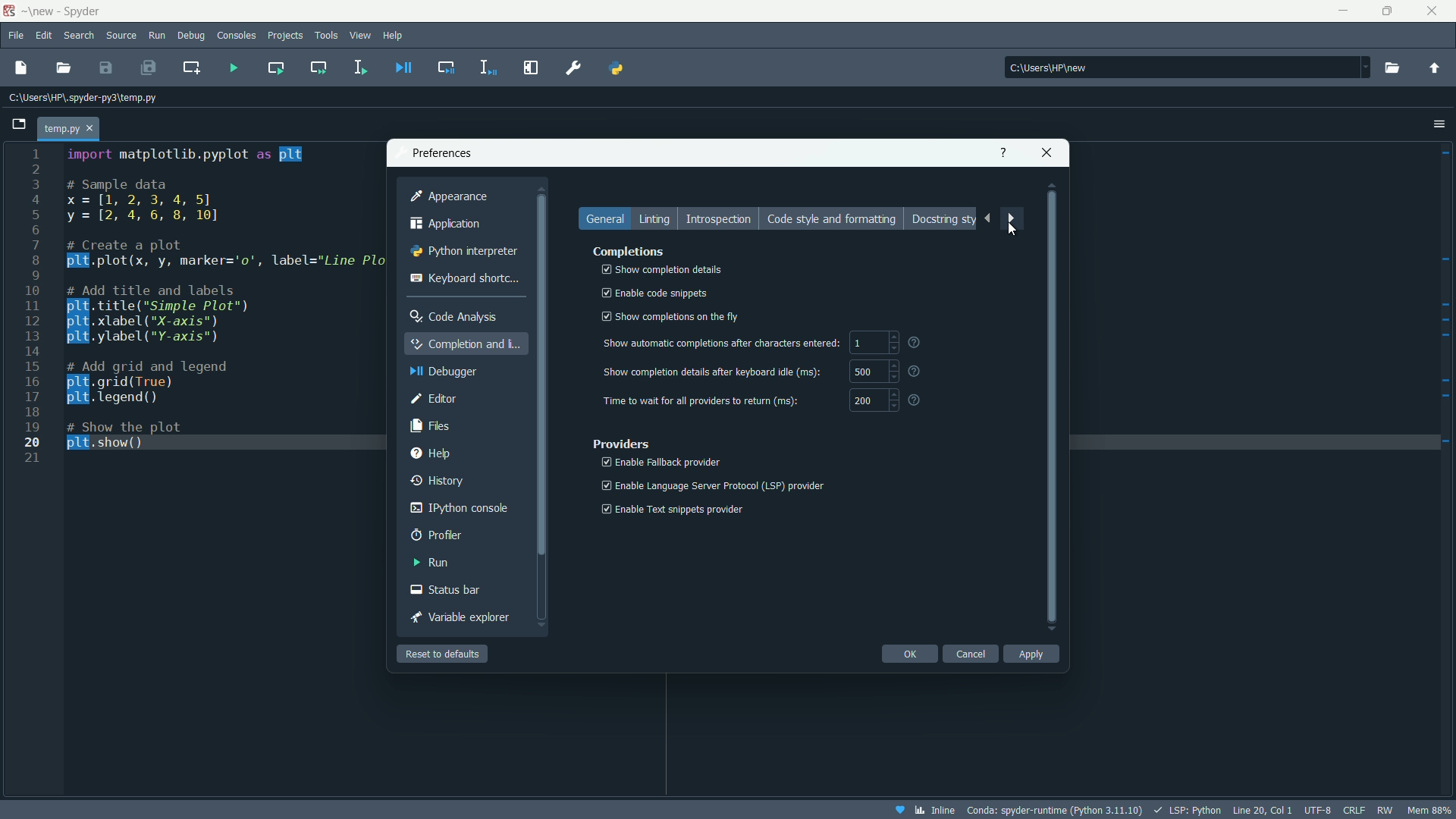  Describe the element at coordinates (859, 343) in the screenshot. I see `1` at that location.